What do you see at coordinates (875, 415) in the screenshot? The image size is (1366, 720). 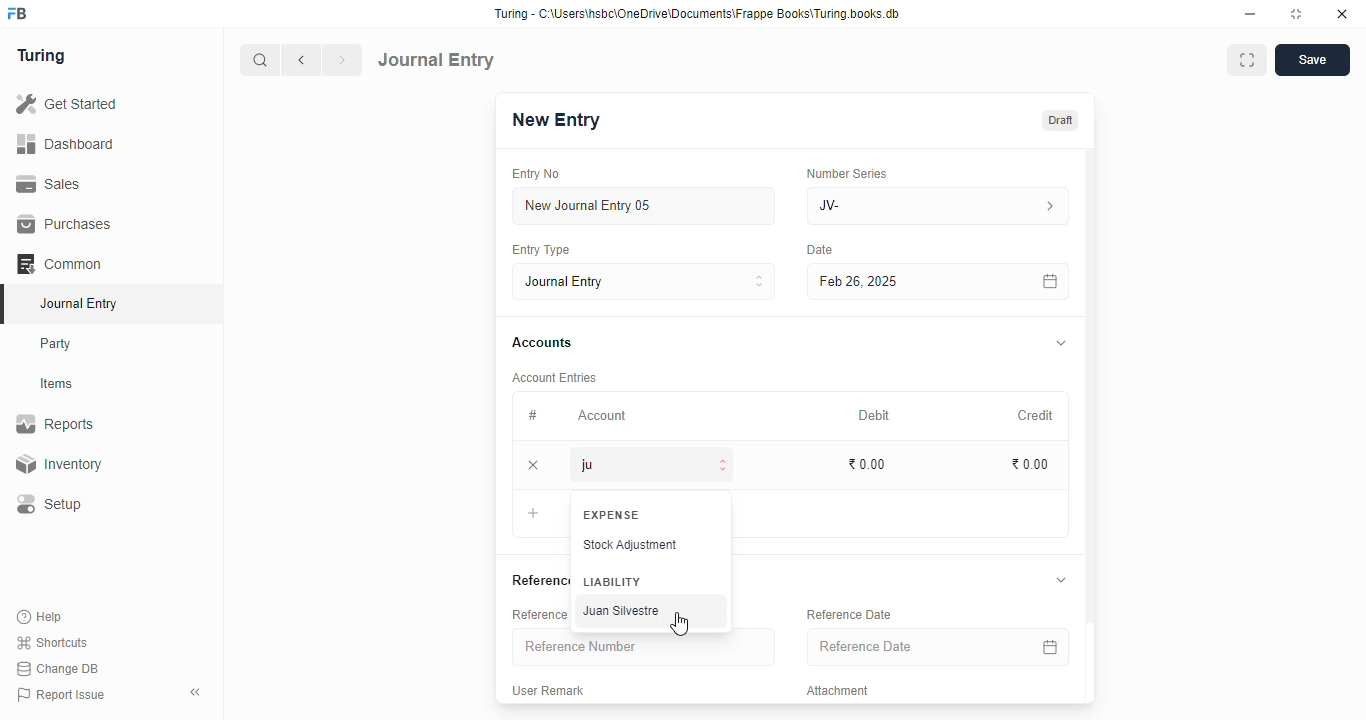 I see `debit` at bounding box center [875, 415].